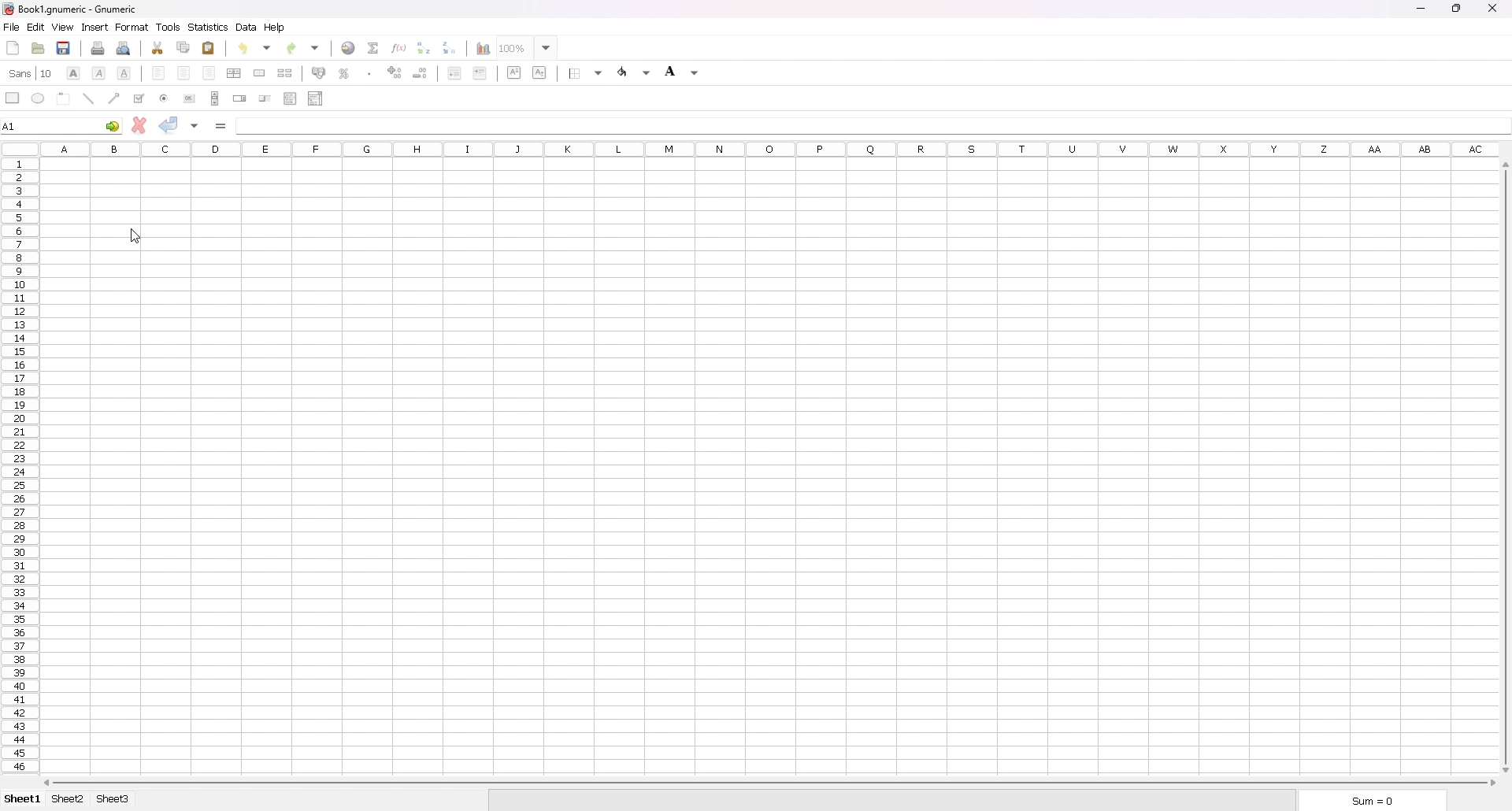 The height and width of the screenshot is (811, 1512). I want to click on statistics, so click(208, 28).